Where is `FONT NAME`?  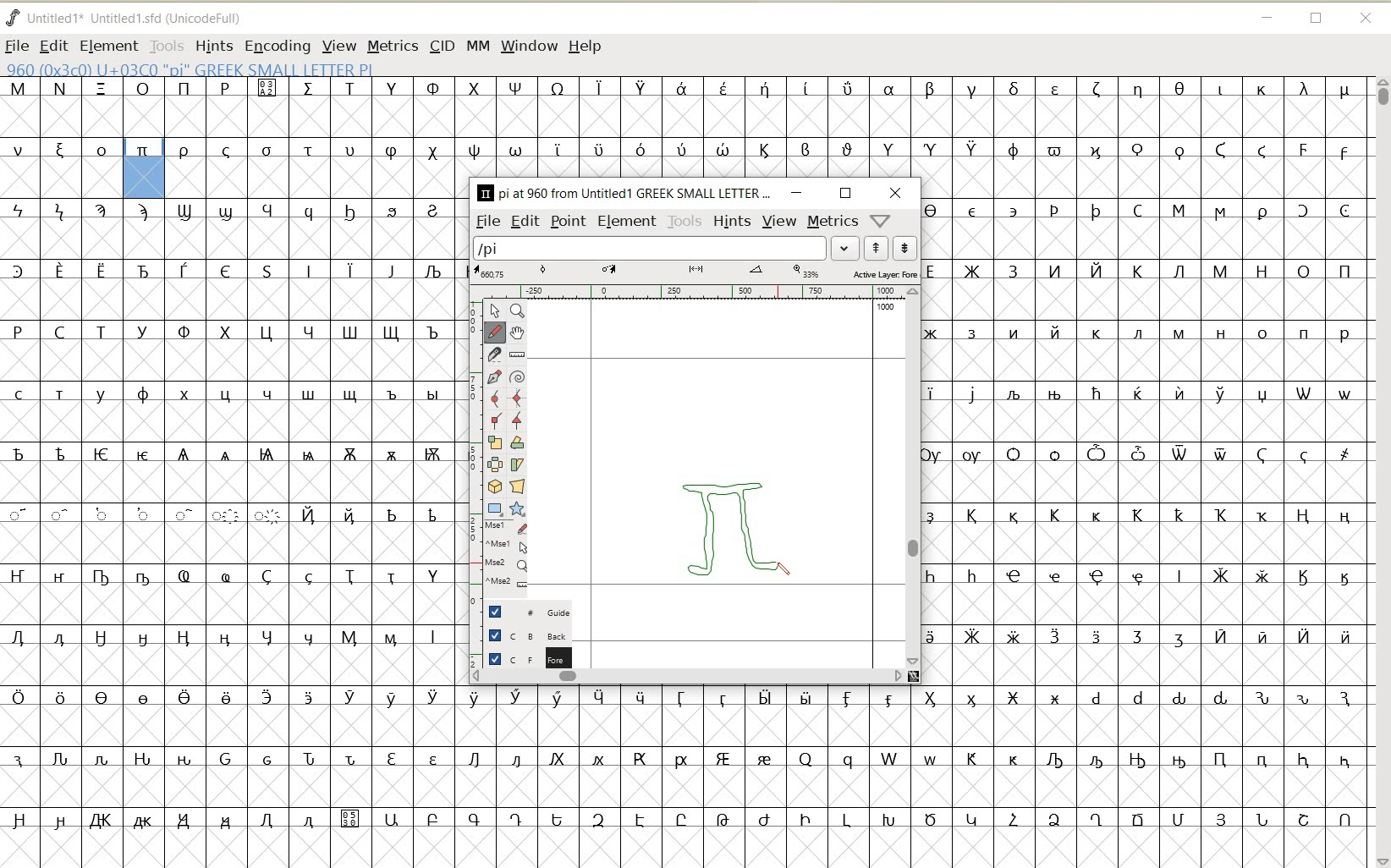 FONT NAME is located at coordinates (127, 18).